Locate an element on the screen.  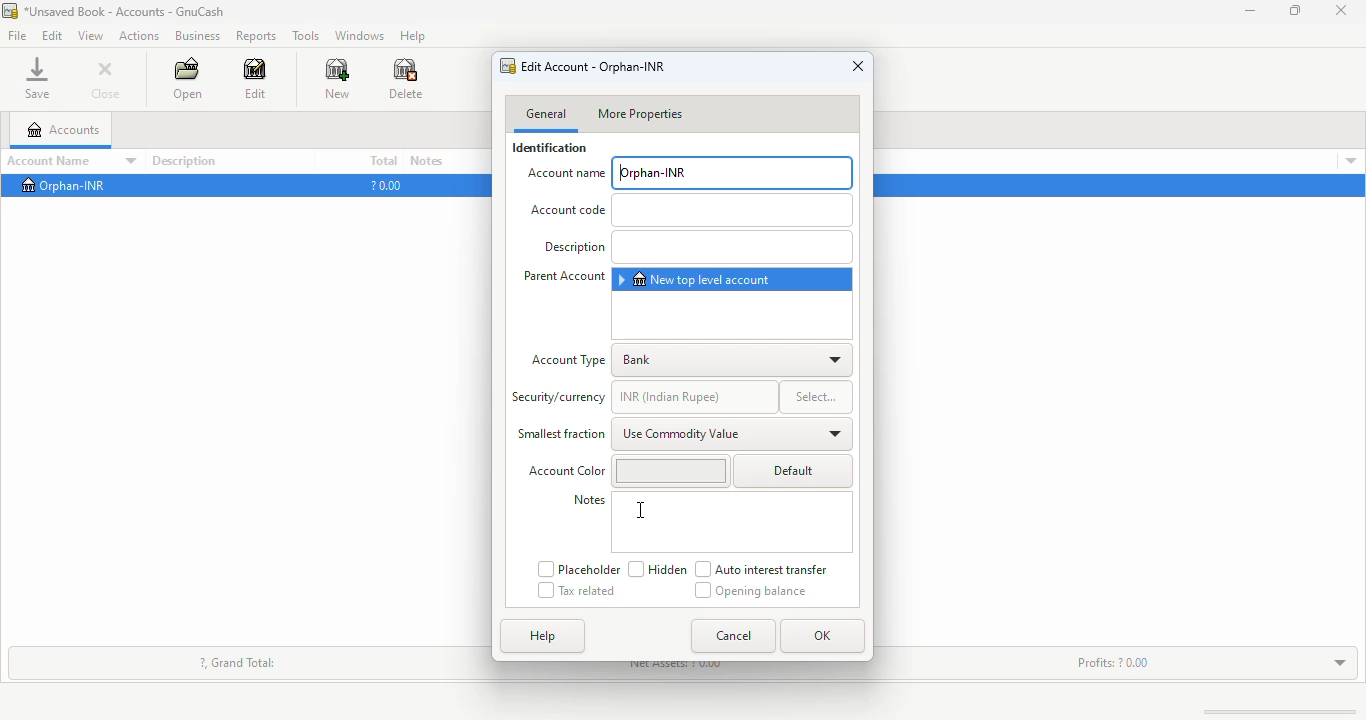
new top level account is located at coordinates (695, 279).